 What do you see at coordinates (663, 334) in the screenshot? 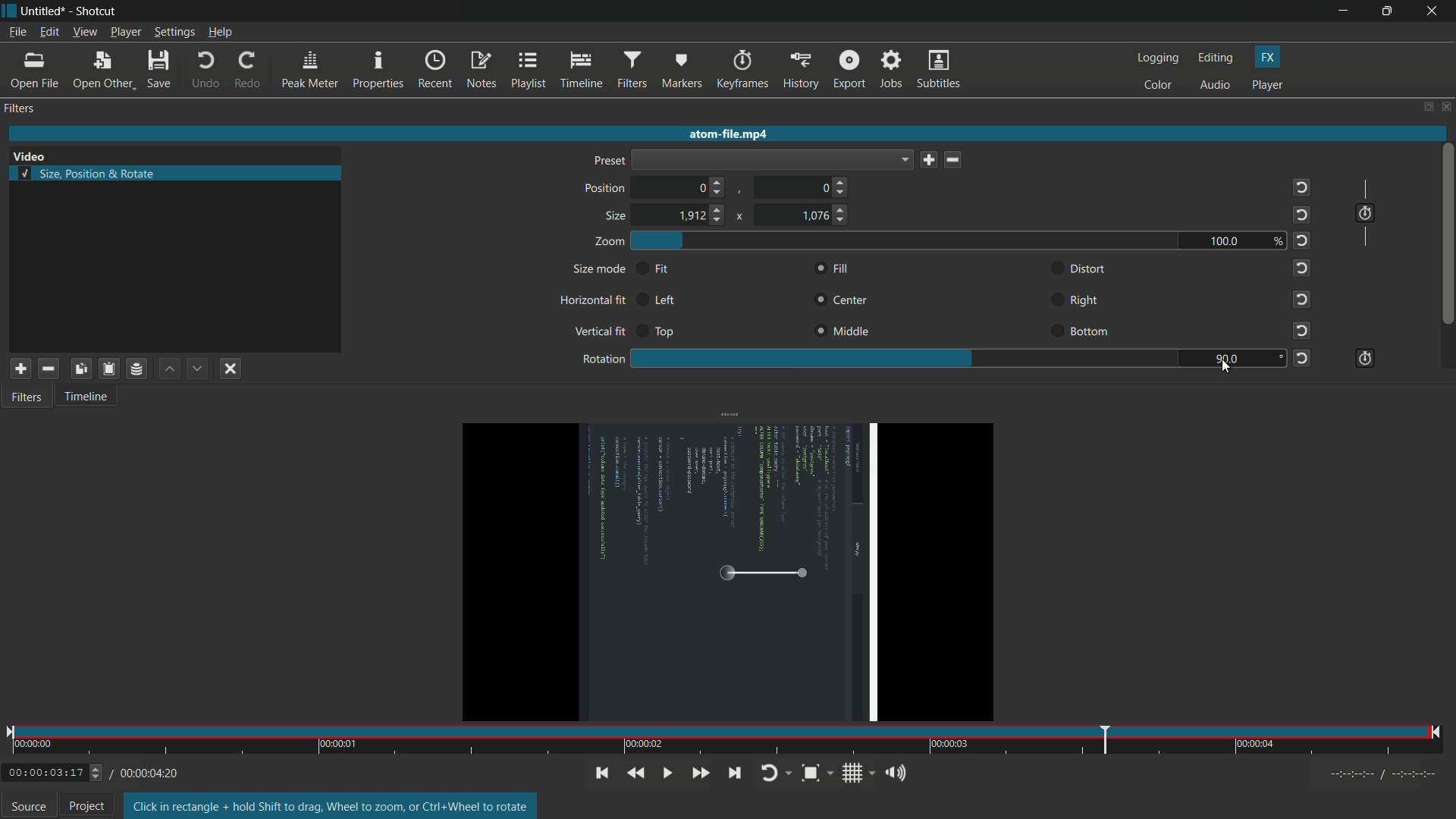
I see `top` at bounding box center [663, 334].